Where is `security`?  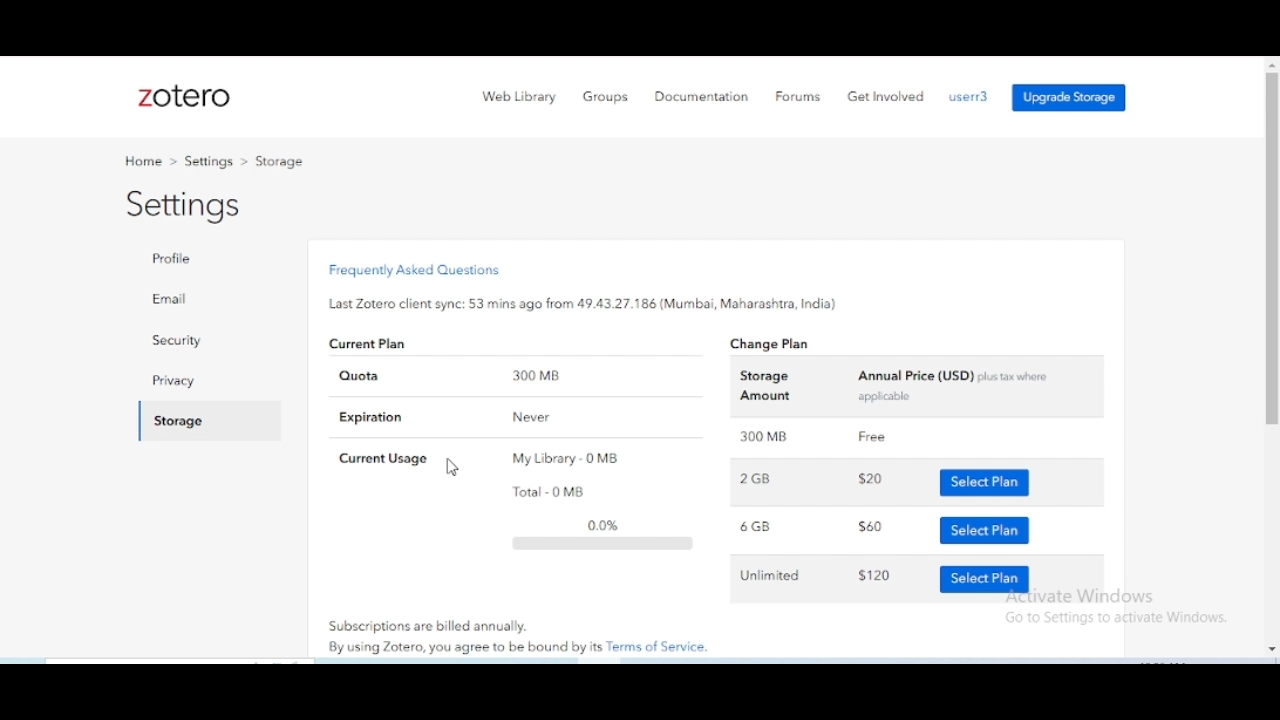 security is located at coordinates (176, 340).